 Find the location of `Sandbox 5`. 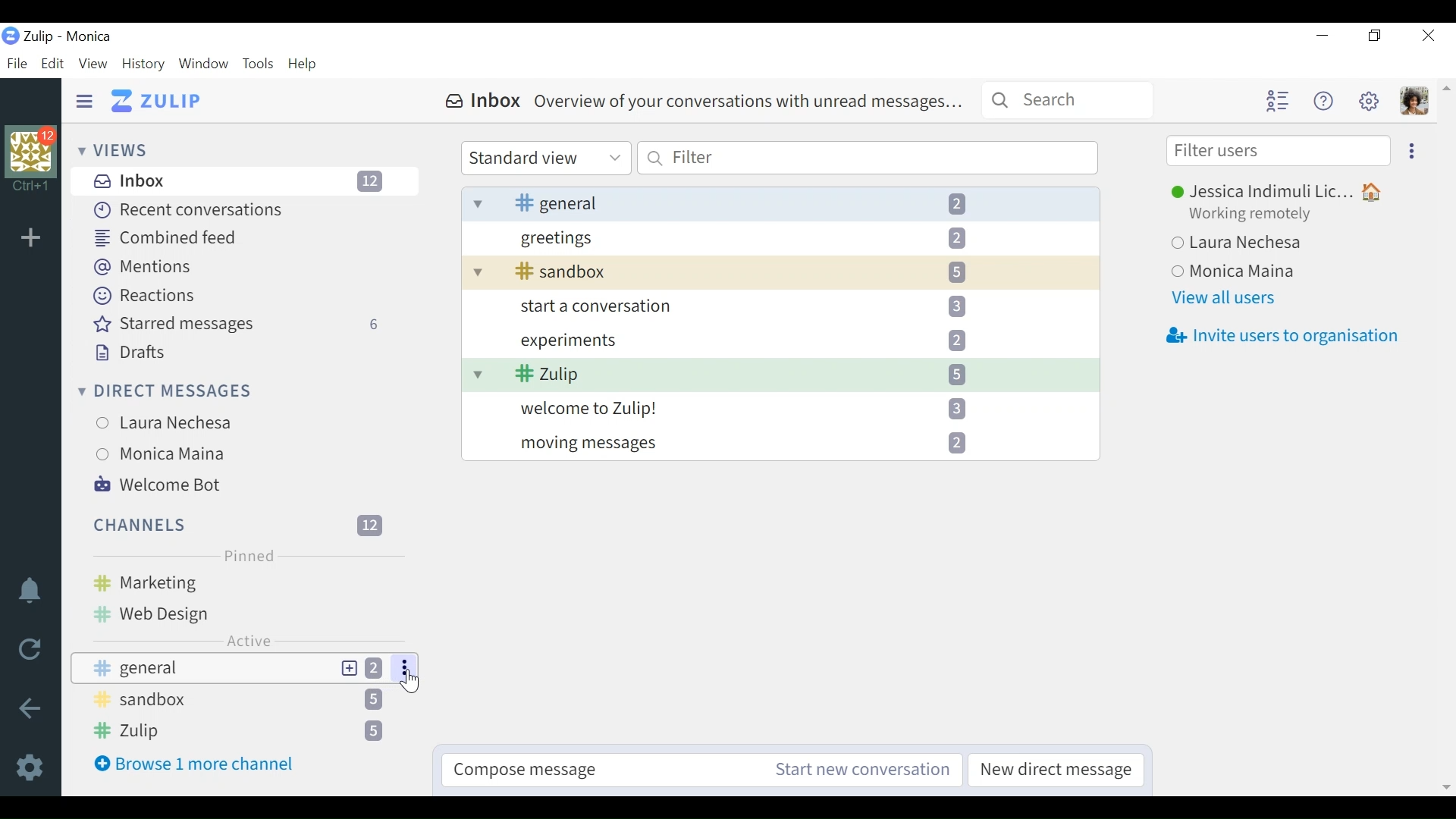

Sandbox 5 is located at coordinates (242, 701).